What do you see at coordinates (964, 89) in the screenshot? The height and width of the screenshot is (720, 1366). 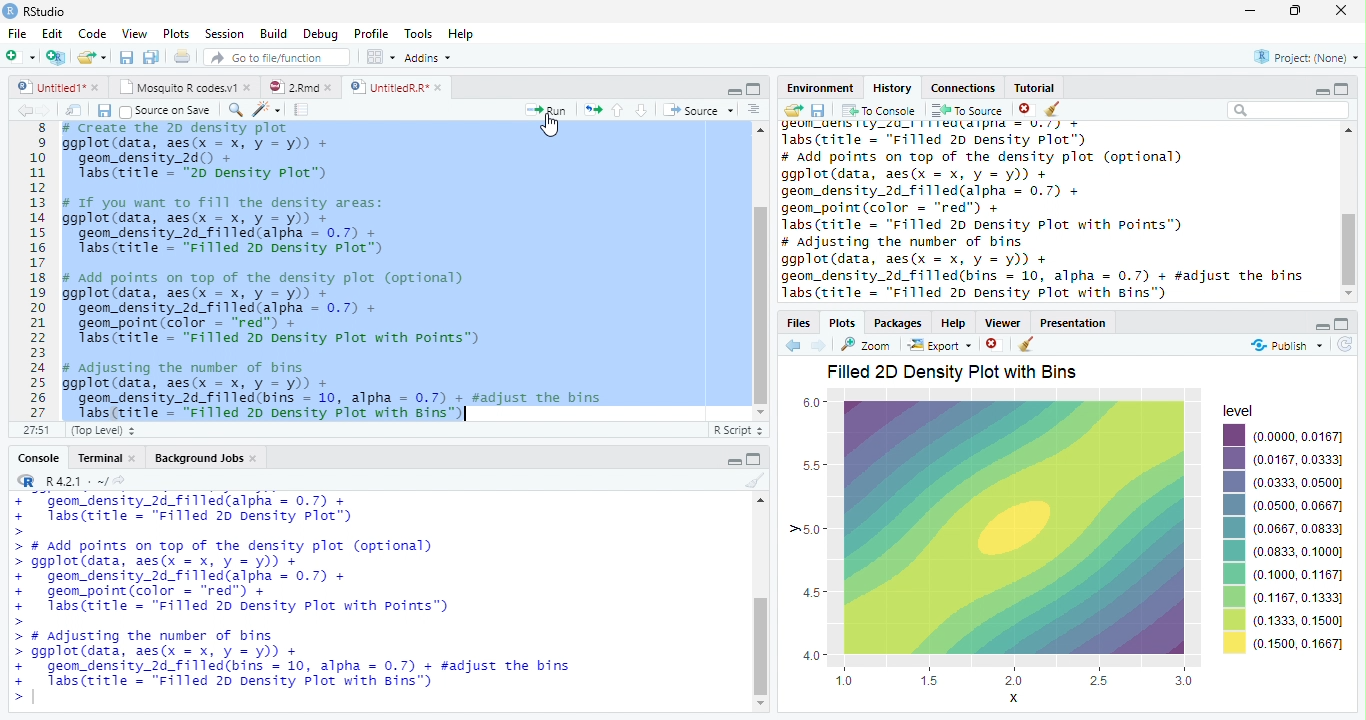 I see `Connections` at bounding box center [964, 89].